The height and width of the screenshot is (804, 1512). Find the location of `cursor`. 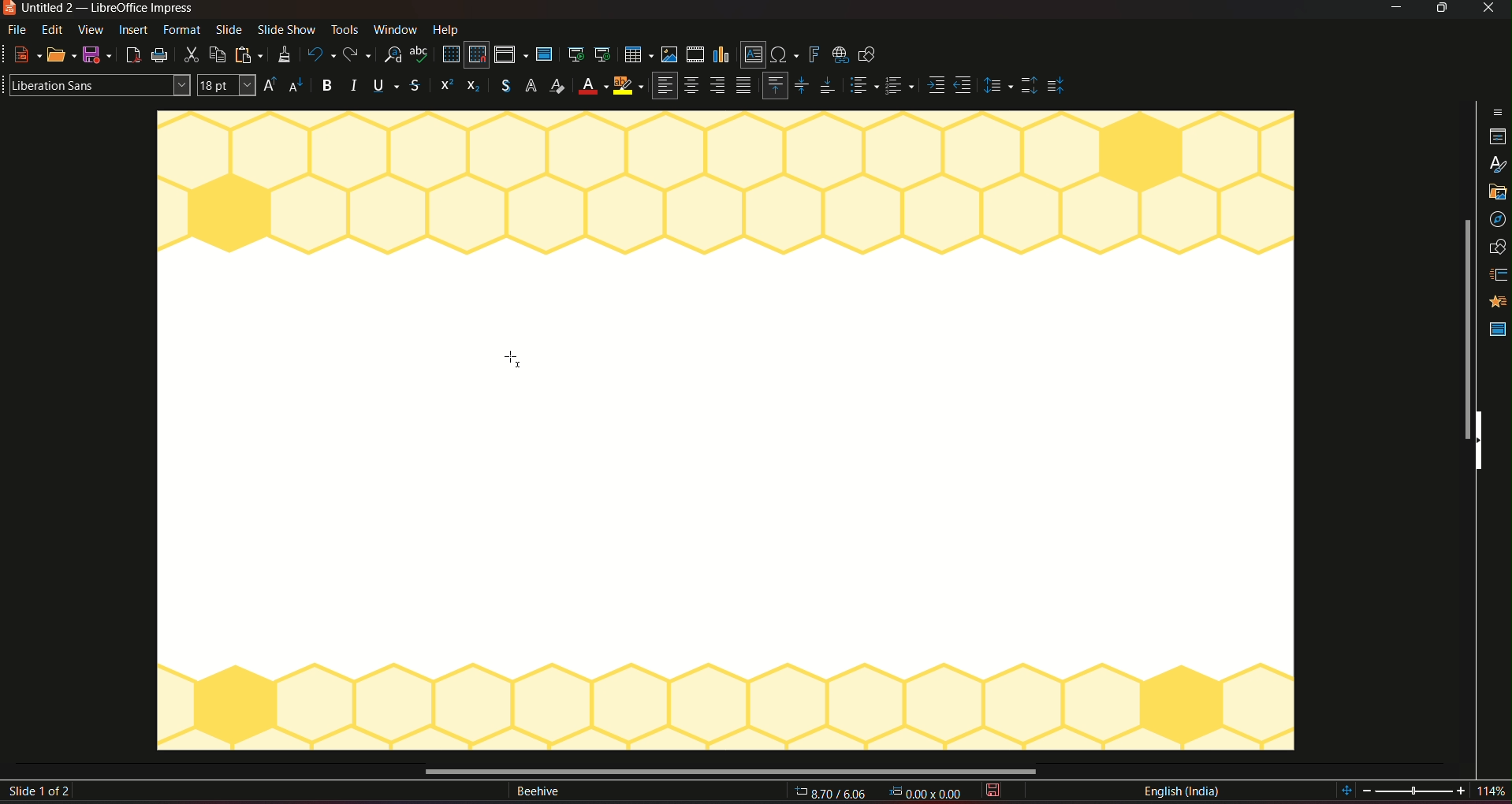

cursor is located at coordinates (508, 355).